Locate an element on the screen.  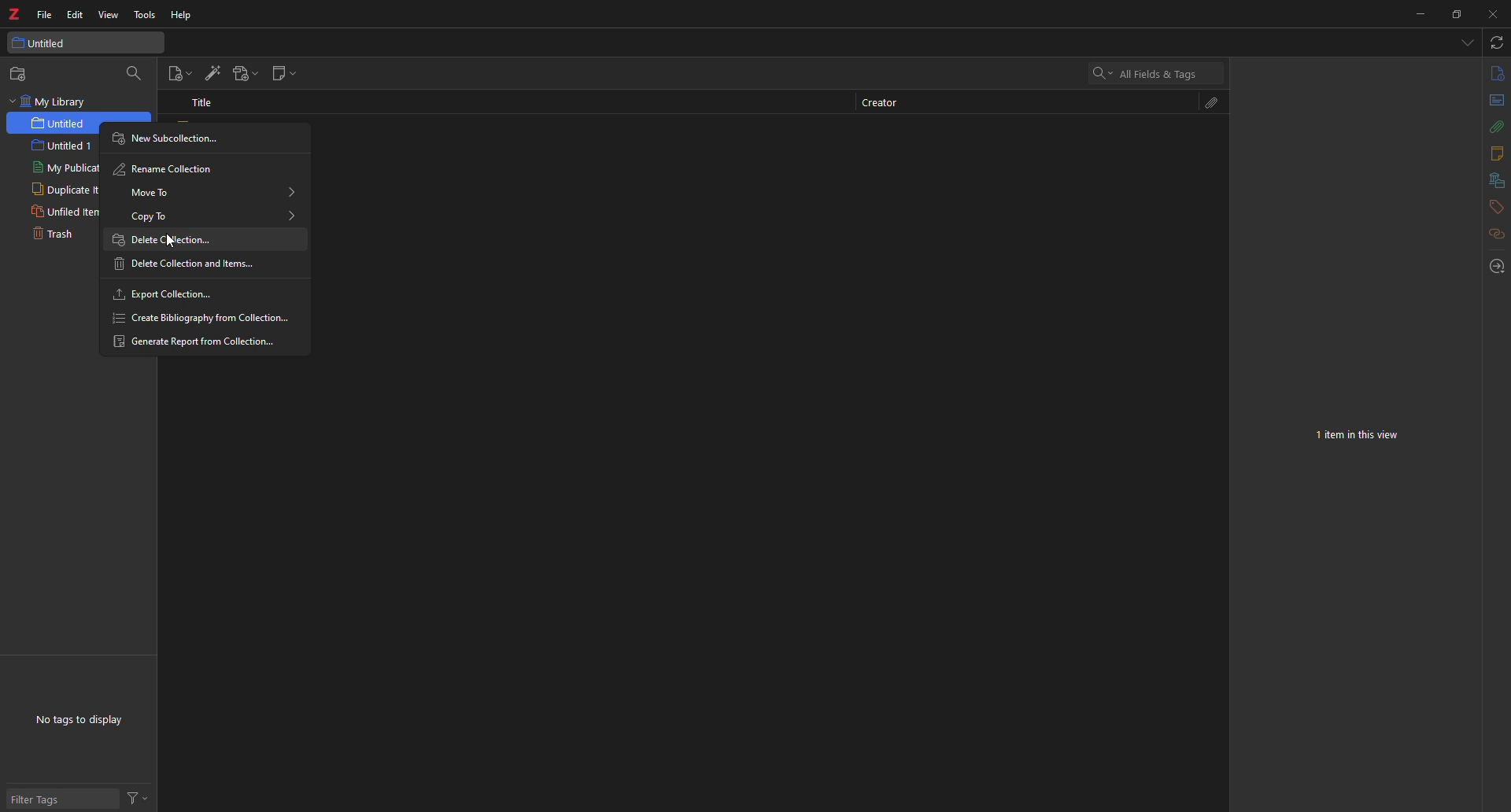
search is located at coordinates (1147, 76).